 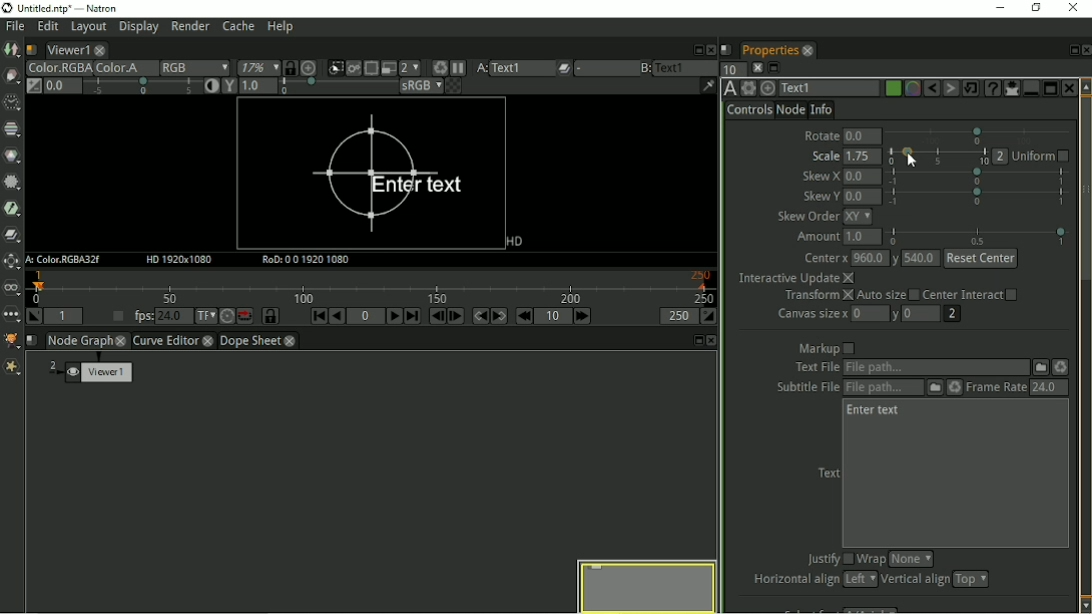 What do you see at coordinates (1029, 88) in the screenshot?
I see `Minimize` at bounding box center [1029, 88].